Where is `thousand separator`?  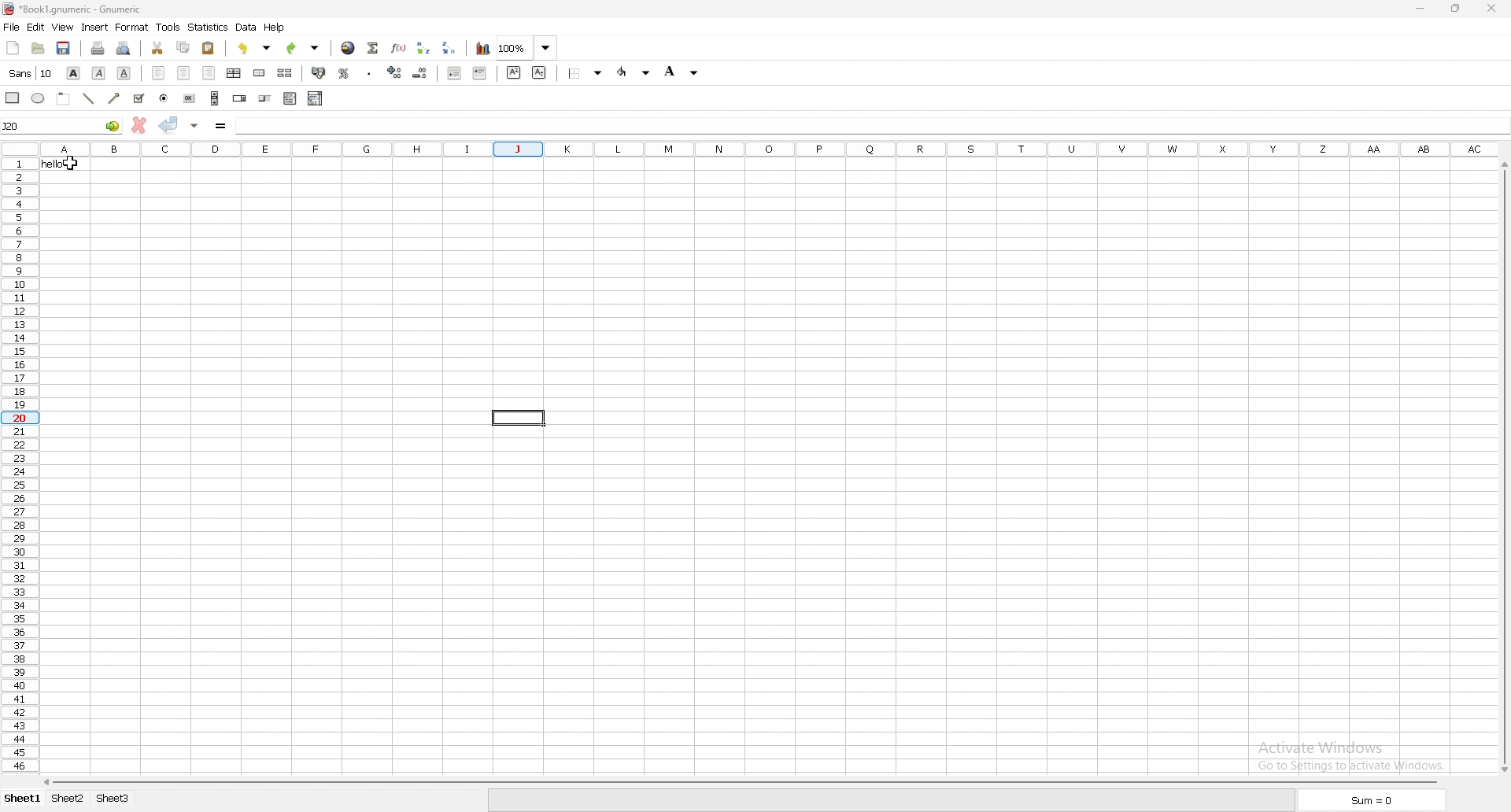 thousand separator is located at coordinates (370, 74).